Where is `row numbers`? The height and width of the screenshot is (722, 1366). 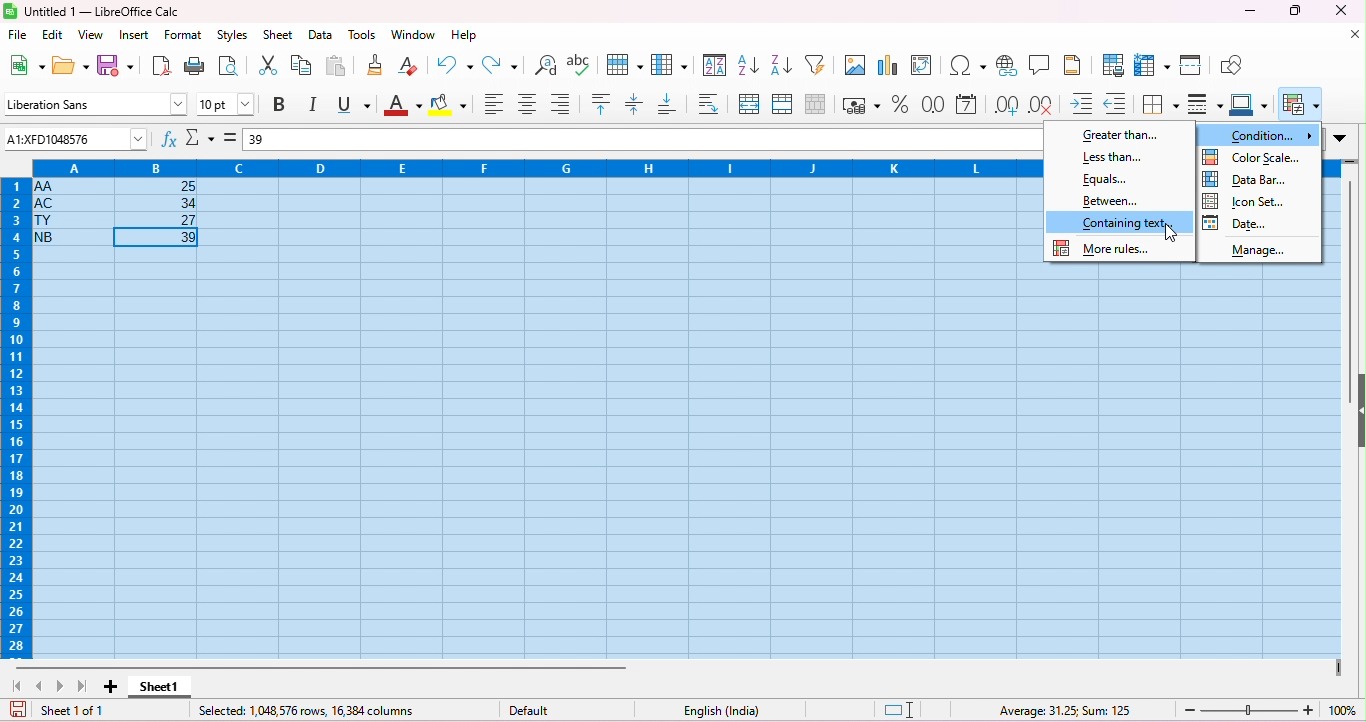 row numbers is located at coordinates (13, 418).